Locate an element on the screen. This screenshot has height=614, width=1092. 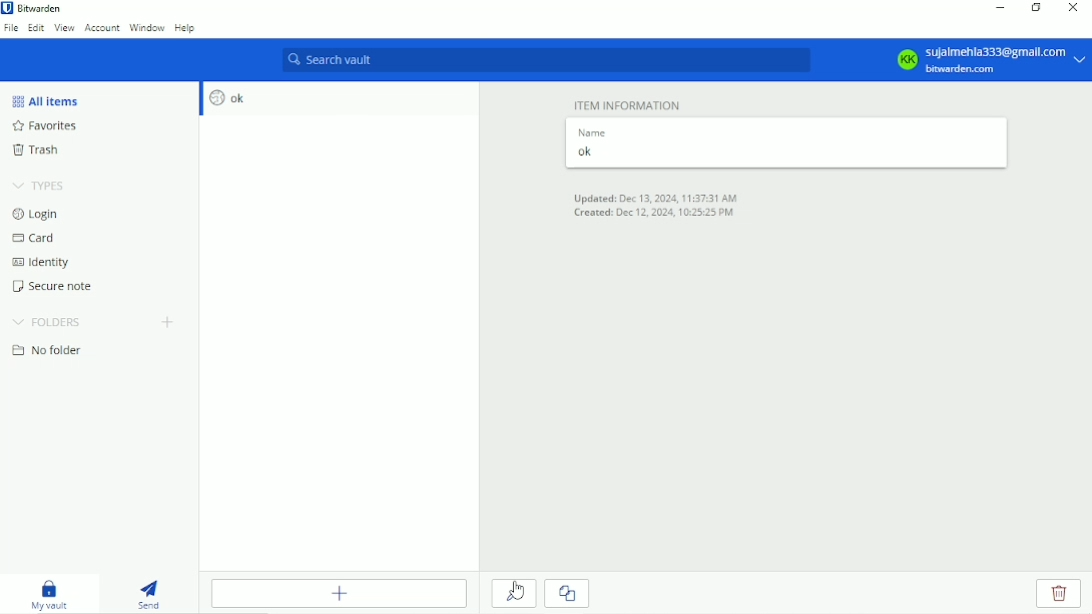
Login is located at coordinates (37, 214).